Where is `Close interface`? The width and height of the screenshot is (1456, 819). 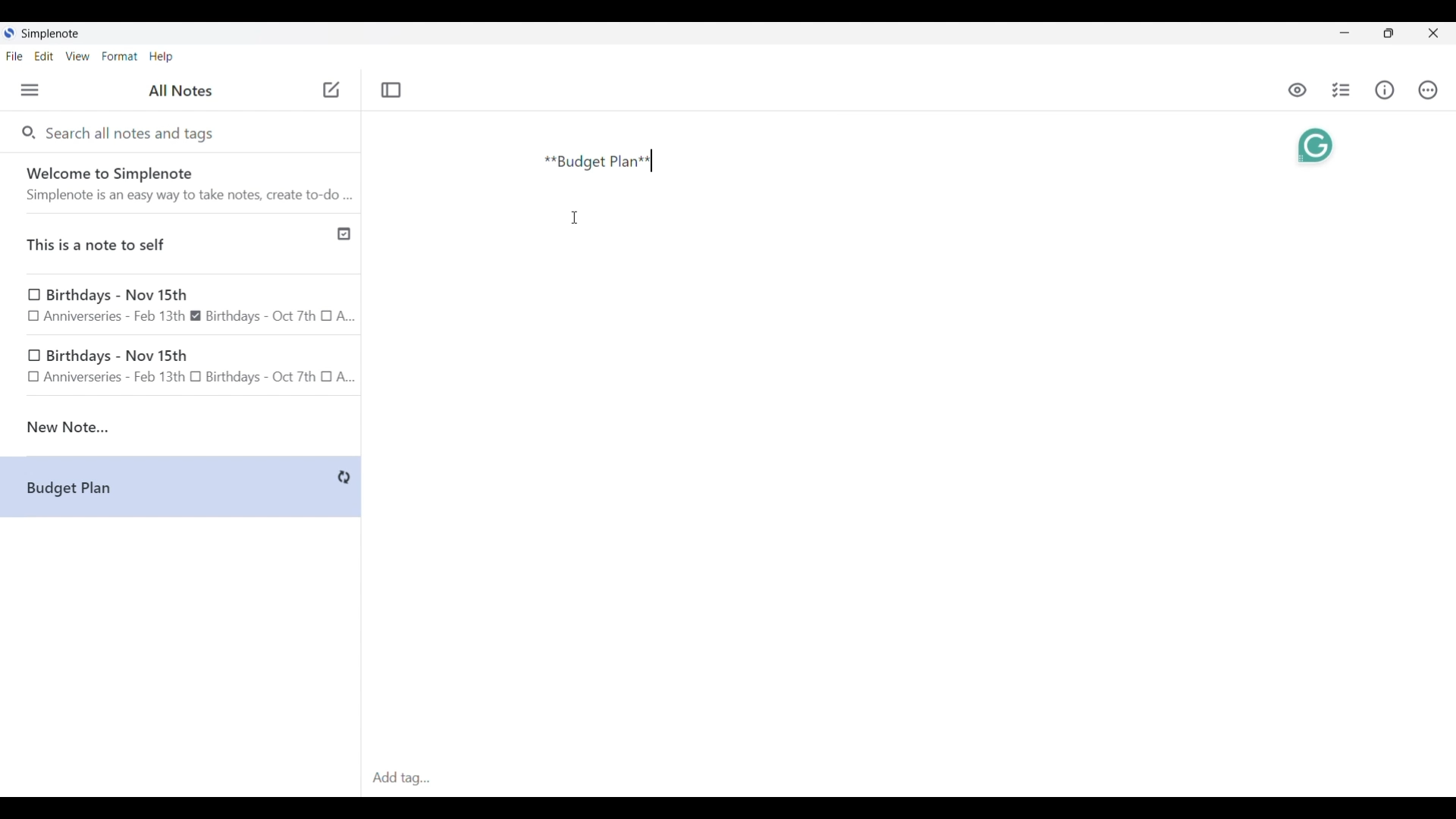 Close interface is located at coordinates (1433, 33).